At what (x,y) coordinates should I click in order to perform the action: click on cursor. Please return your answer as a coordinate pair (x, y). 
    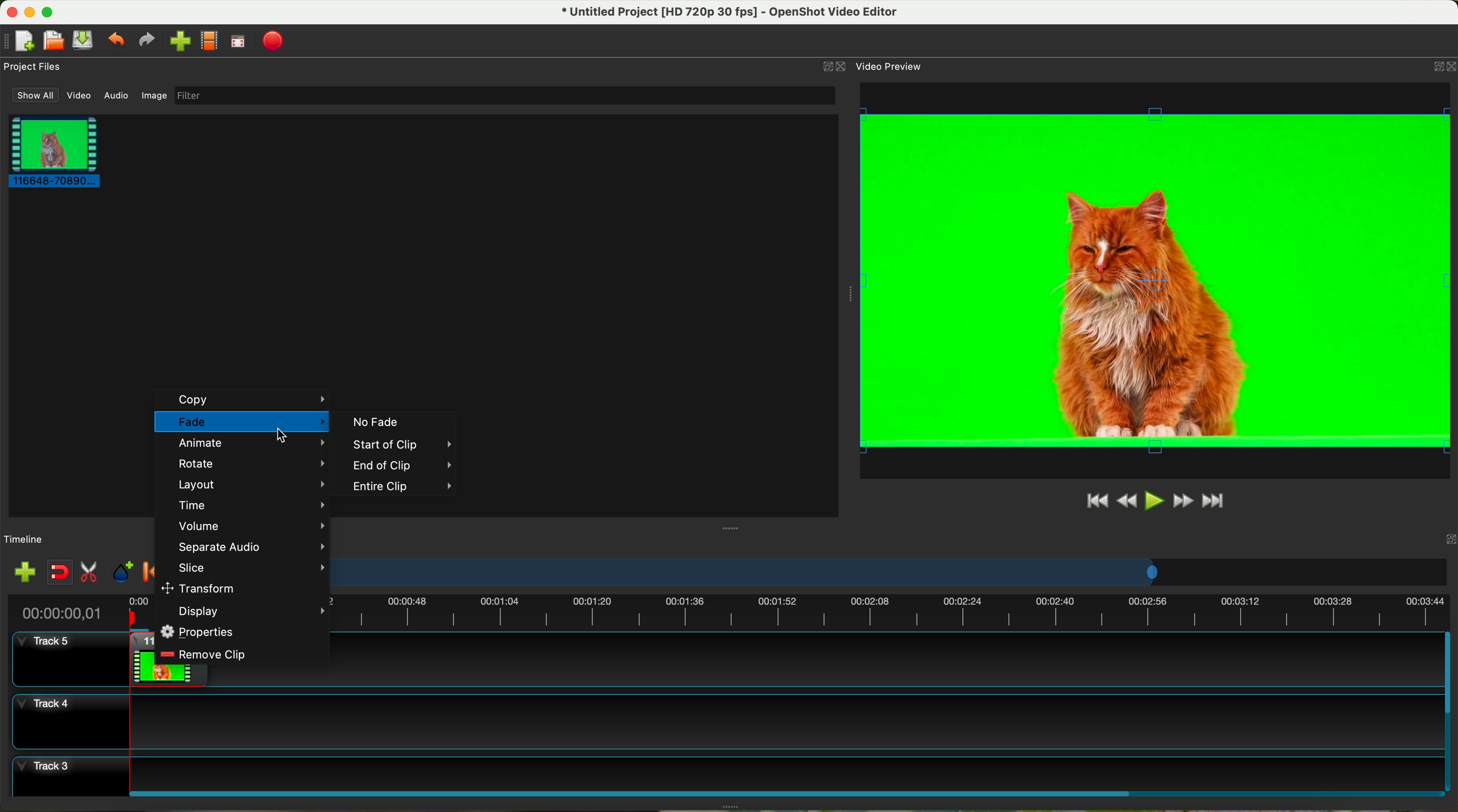
    Looking at the image, I should click on (281, 439).